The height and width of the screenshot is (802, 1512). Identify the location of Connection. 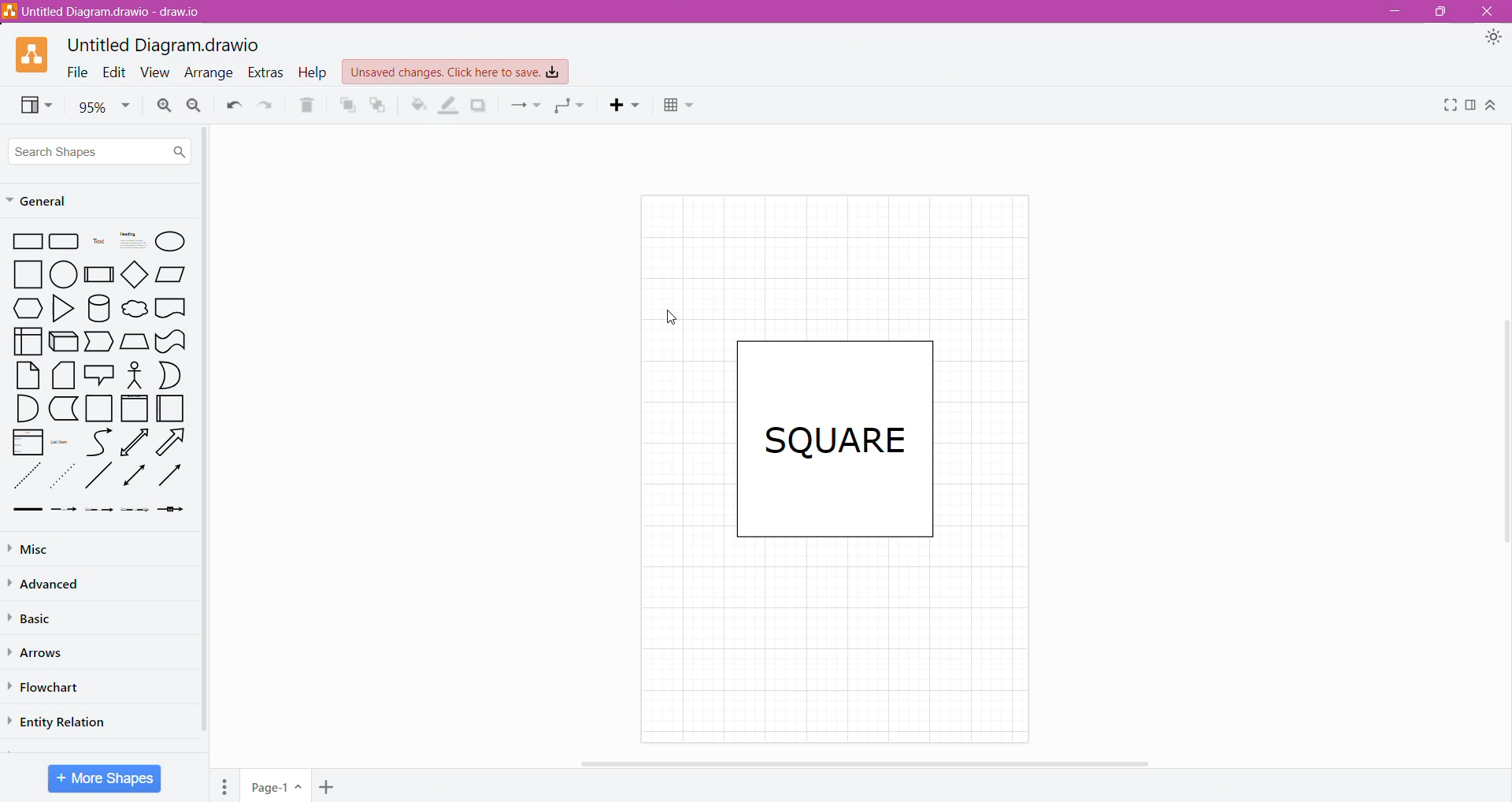
(525, 107).